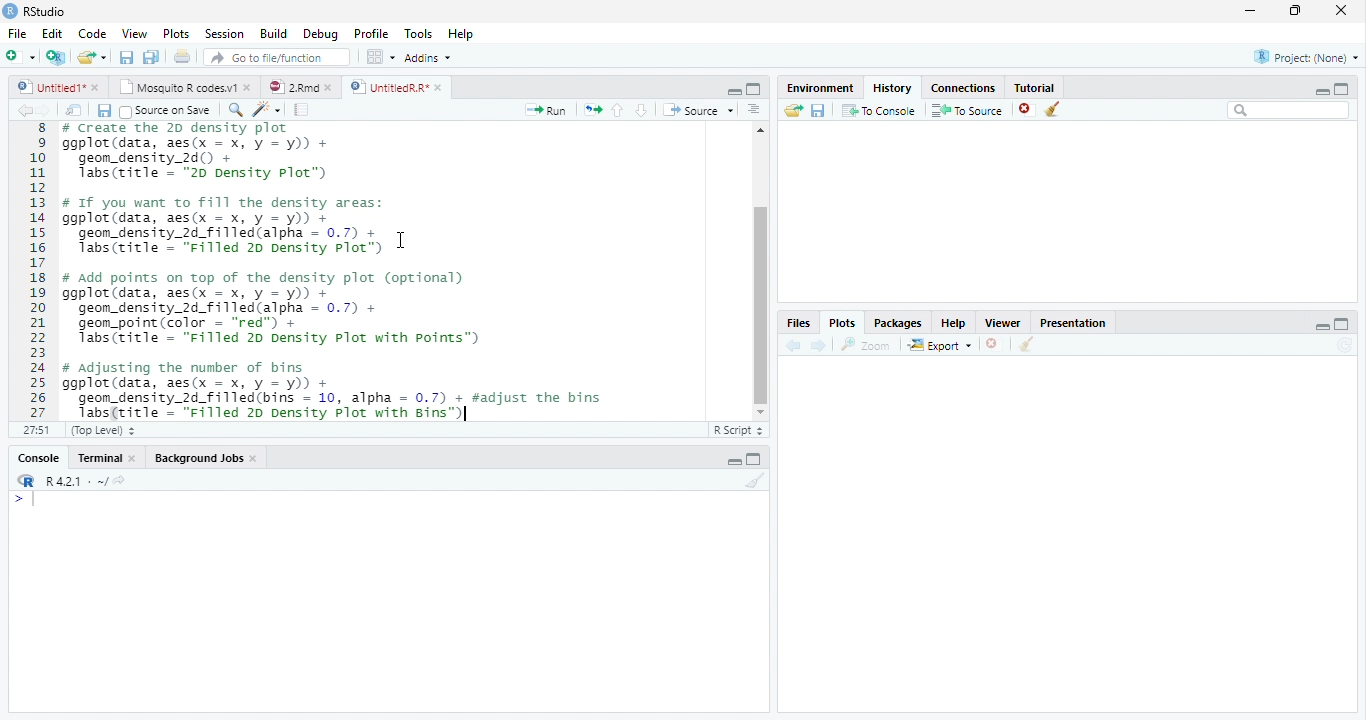  Describe the element at coordinates (841, 322) in the screenshot. I see `Plots` at that location.